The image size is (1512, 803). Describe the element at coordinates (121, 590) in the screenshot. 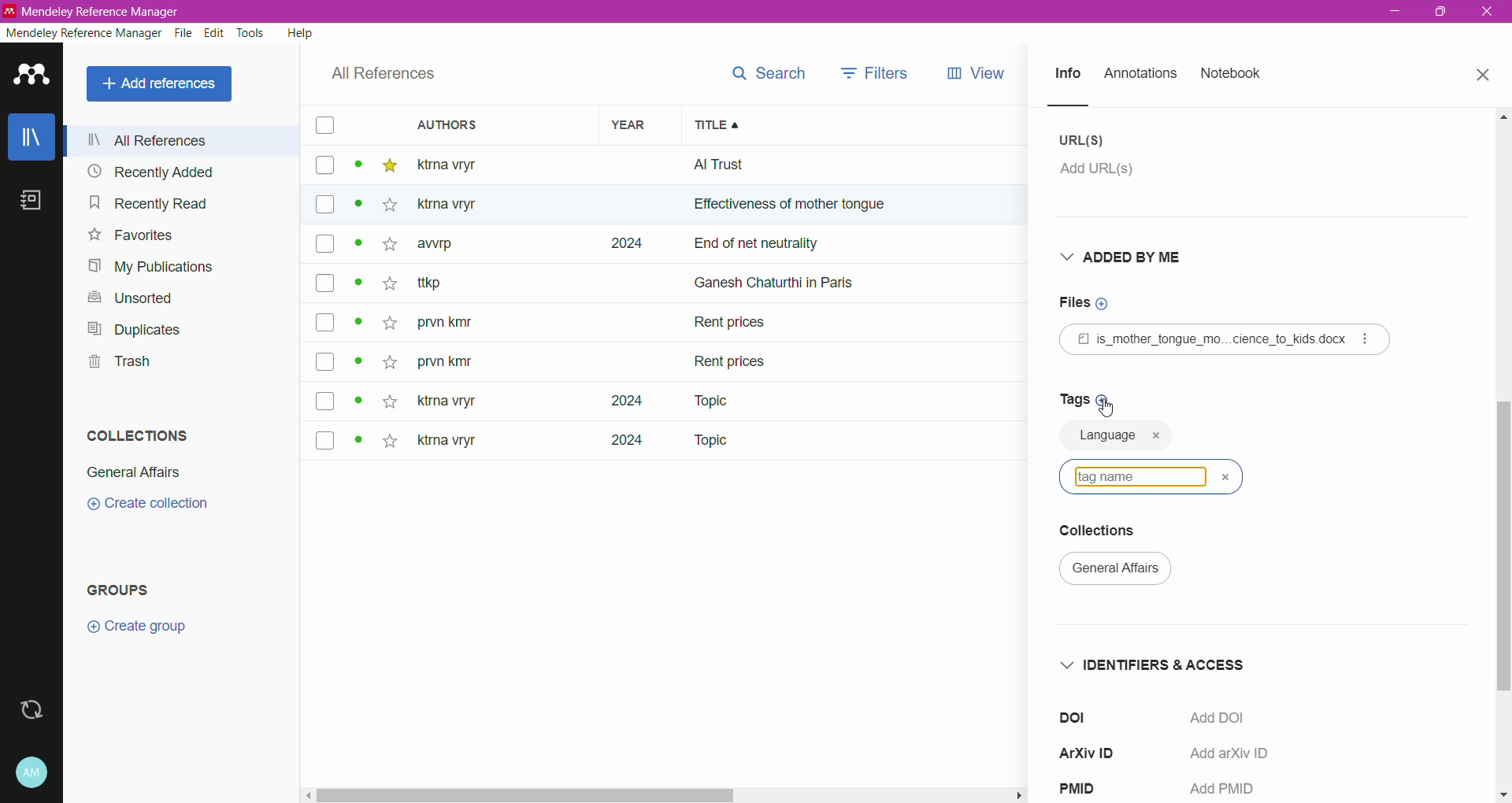

I see `Groups` at that location.